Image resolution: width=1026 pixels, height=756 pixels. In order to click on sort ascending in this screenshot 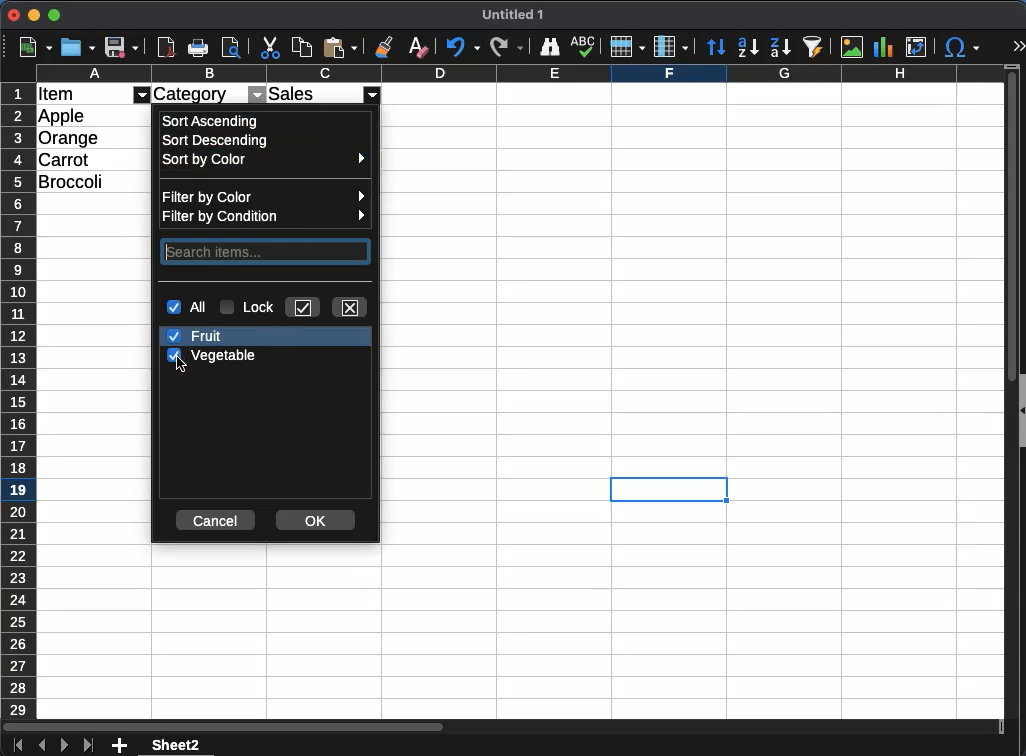, I will do `click(212, 121)`.